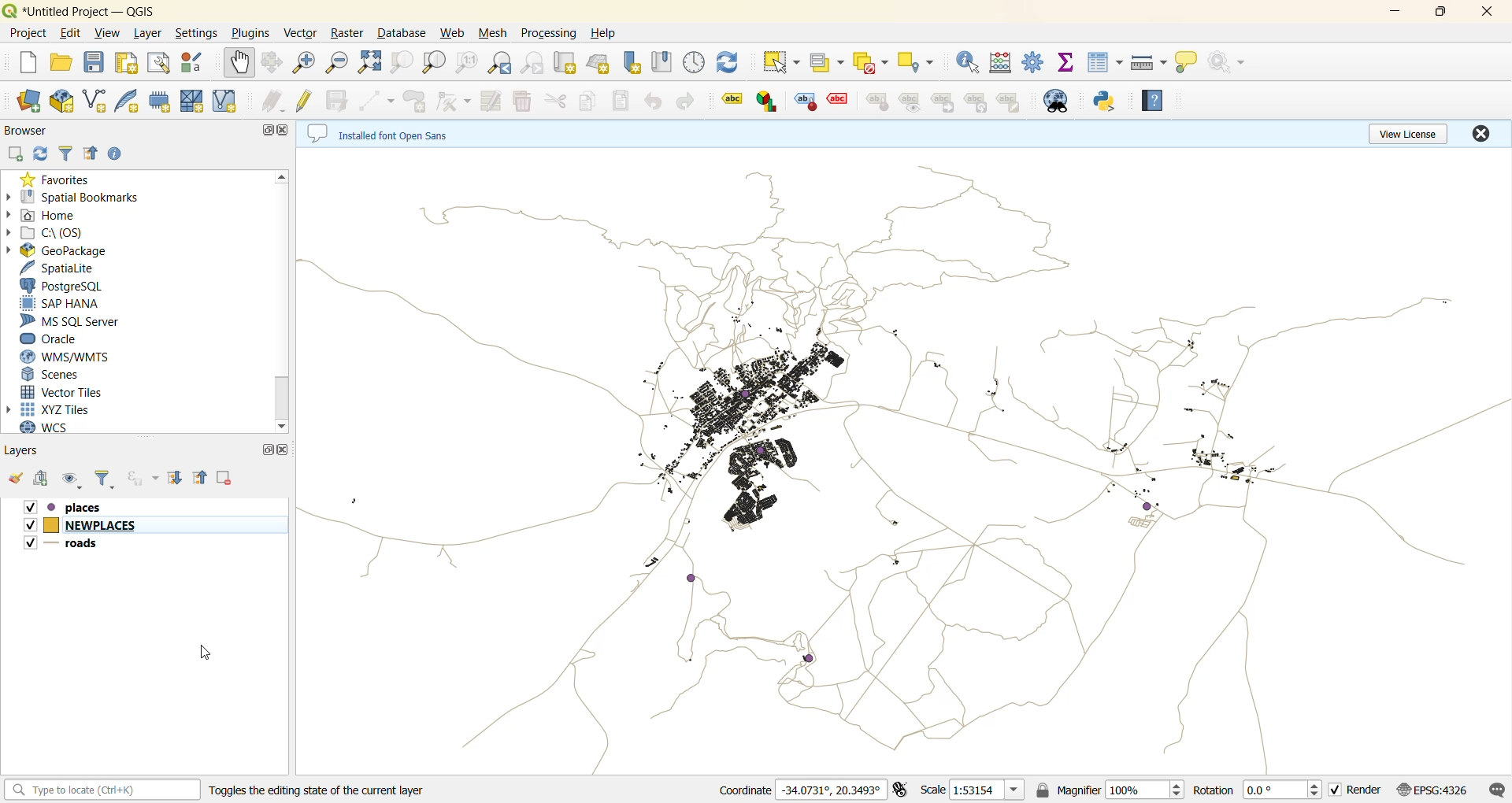 Image resolution: width=1512 pixels, height=803 pixels. I want to click on close, so click(286, 447).